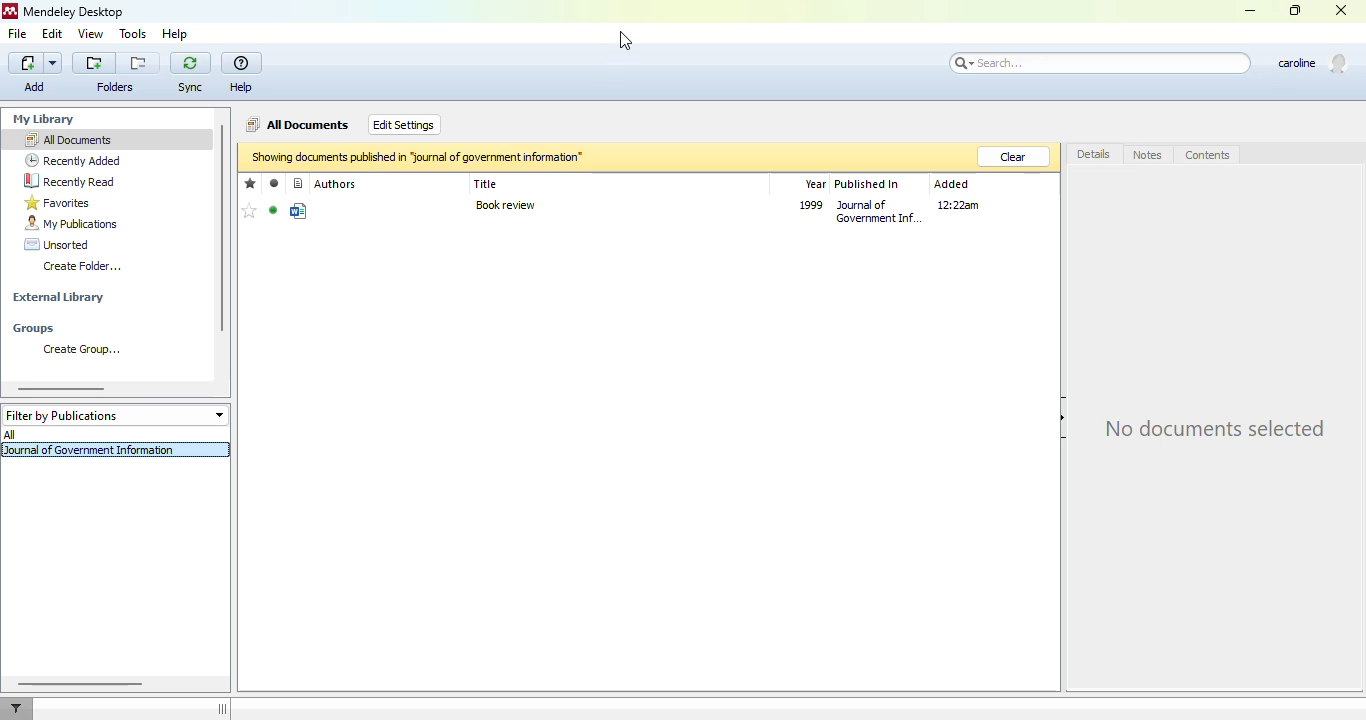 The height and width of the screenshot is (720, 1366). I want to click on help, so click(241, 74).